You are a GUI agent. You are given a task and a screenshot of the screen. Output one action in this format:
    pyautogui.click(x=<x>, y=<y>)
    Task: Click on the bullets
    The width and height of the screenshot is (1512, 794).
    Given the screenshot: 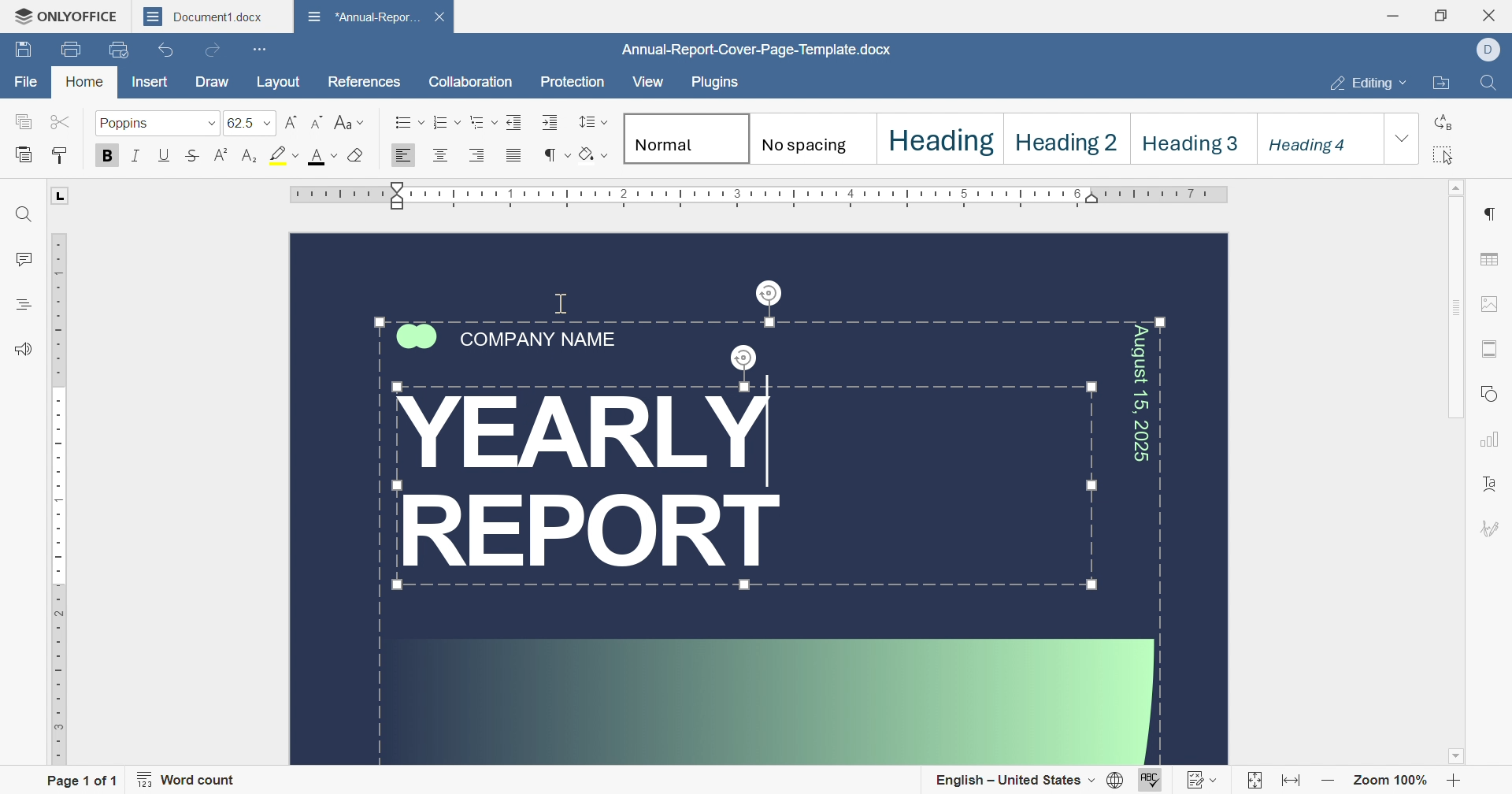 What is the action you would take?
    pyautogui.click(x=409, y=121)
    